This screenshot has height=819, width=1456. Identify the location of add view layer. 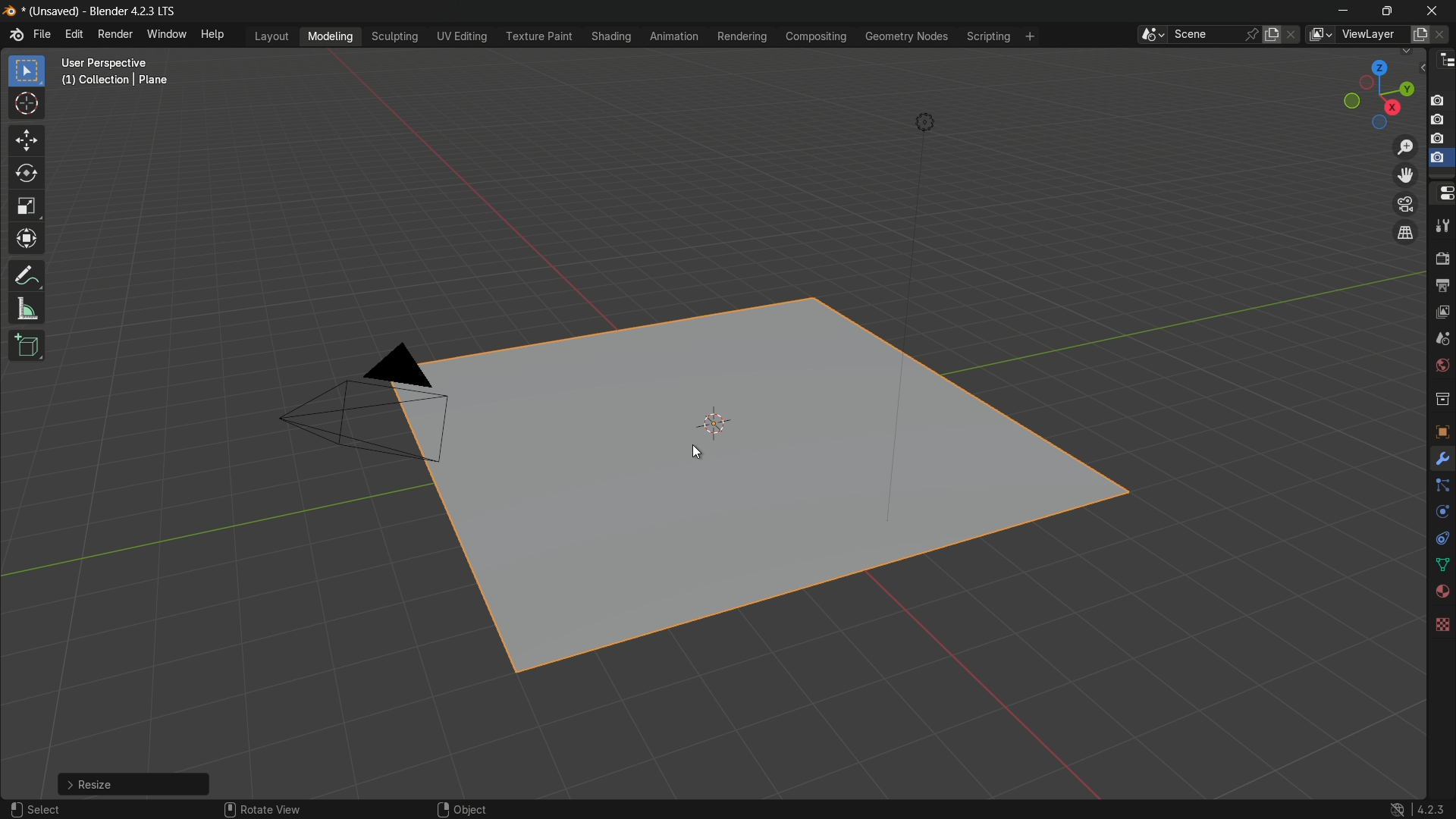
(1418, 34).